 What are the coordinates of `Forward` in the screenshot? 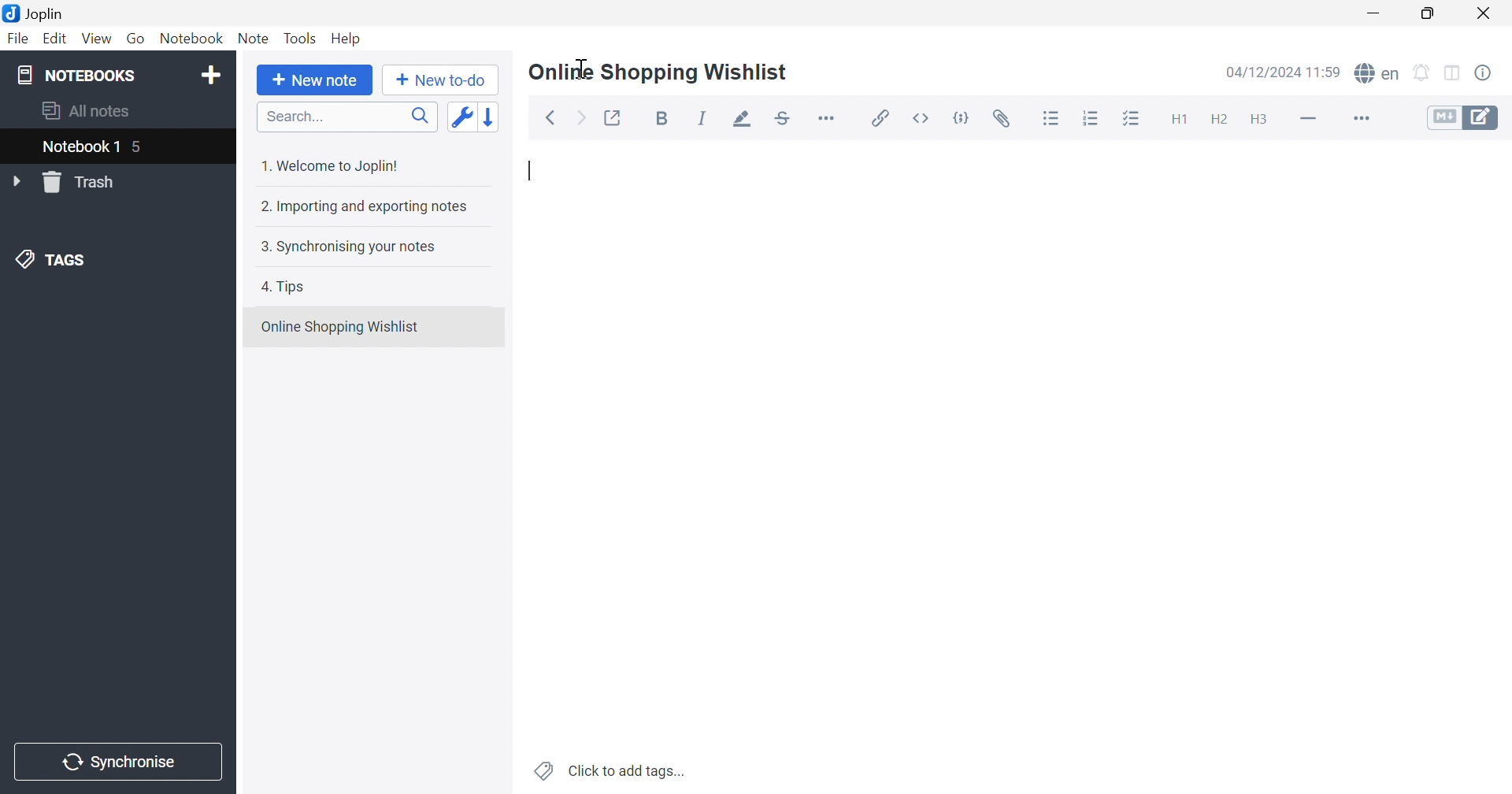 It's located at (584, 119).